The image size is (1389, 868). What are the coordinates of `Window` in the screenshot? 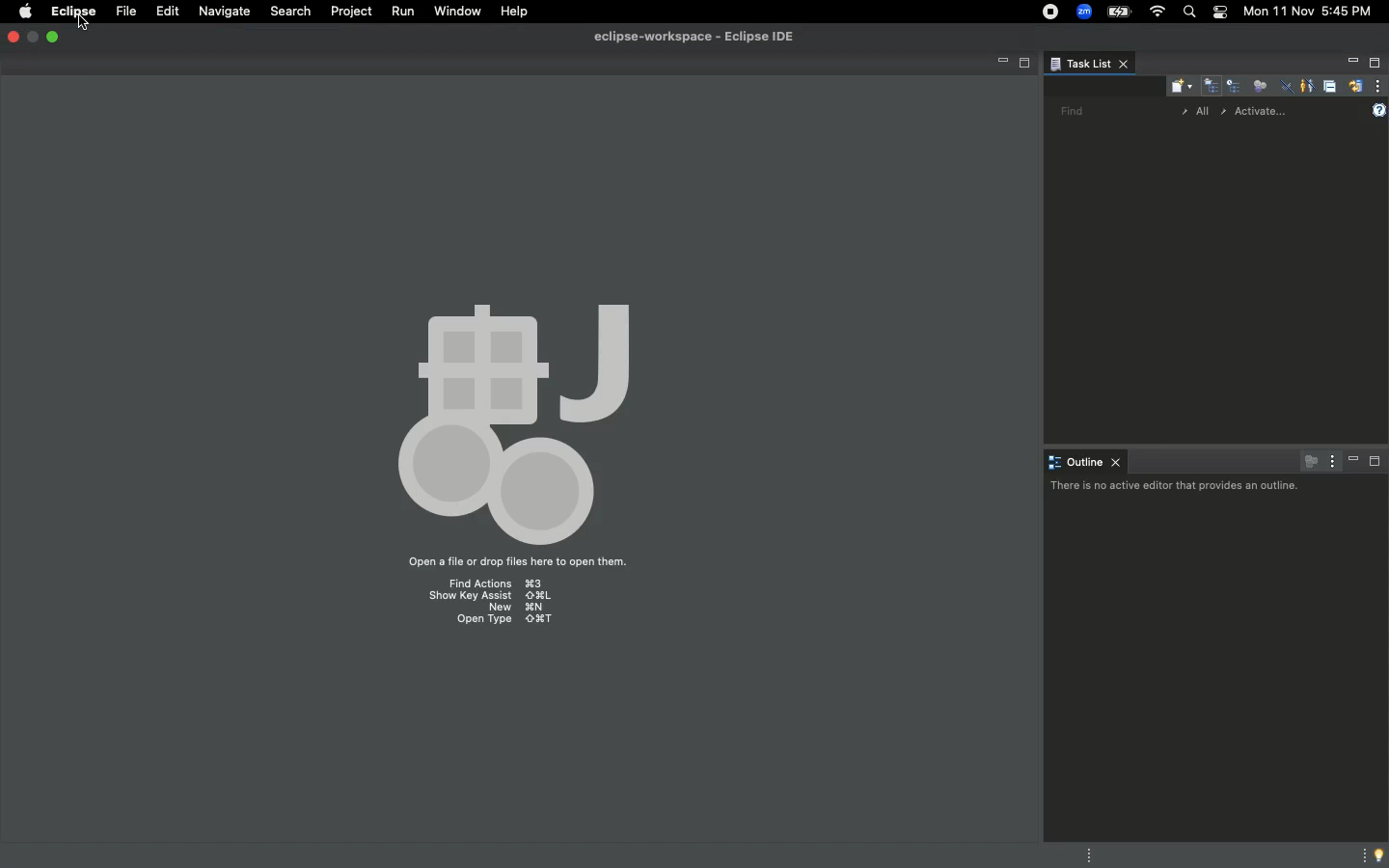 It's located at (457, 12).